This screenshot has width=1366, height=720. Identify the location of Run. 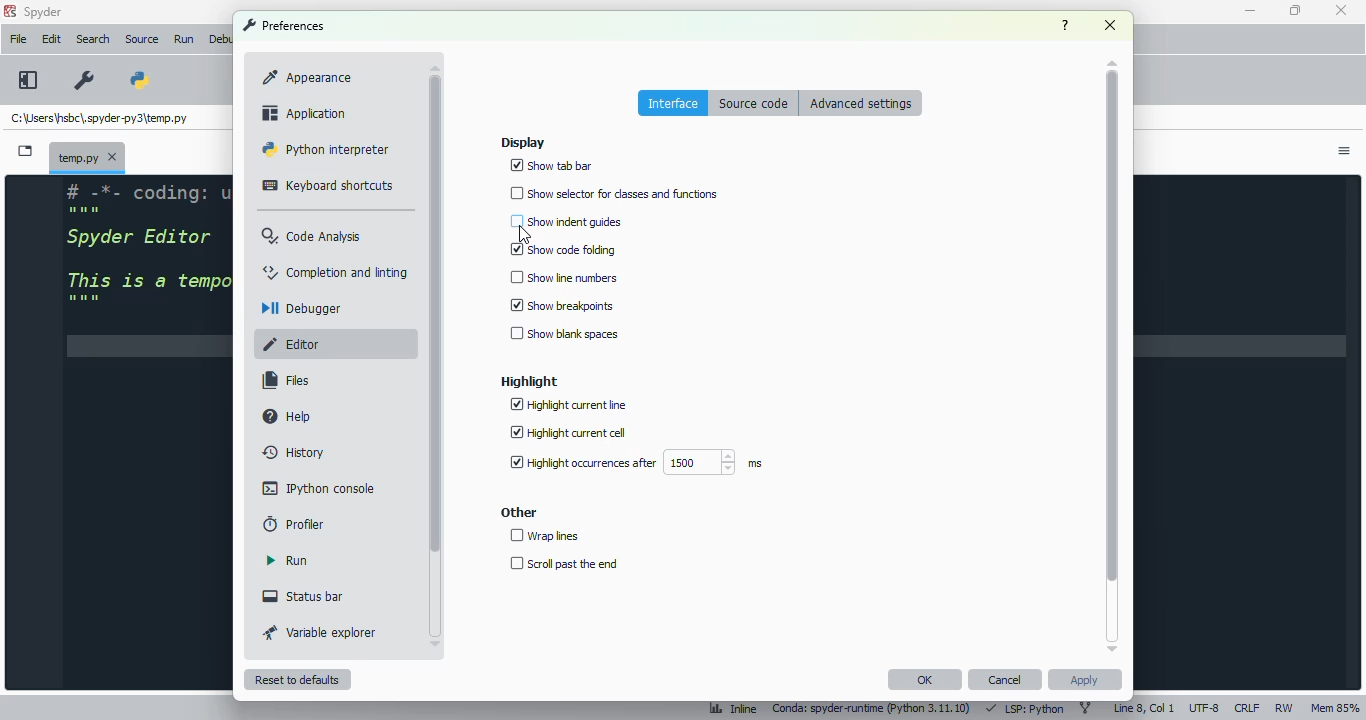
(181, 39).